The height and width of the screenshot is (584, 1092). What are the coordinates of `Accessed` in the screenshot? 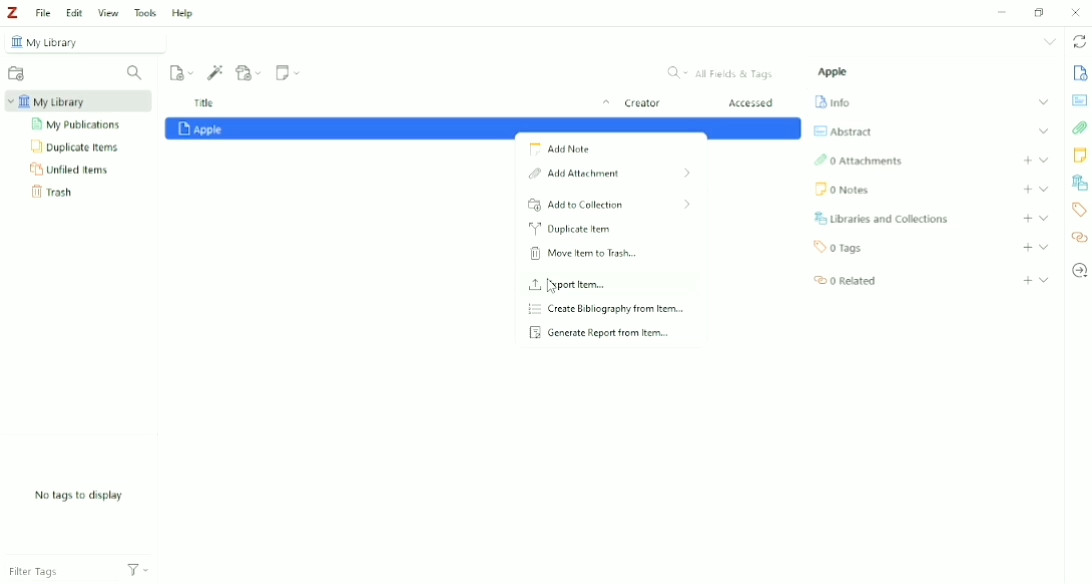 It's located at (753, 104).